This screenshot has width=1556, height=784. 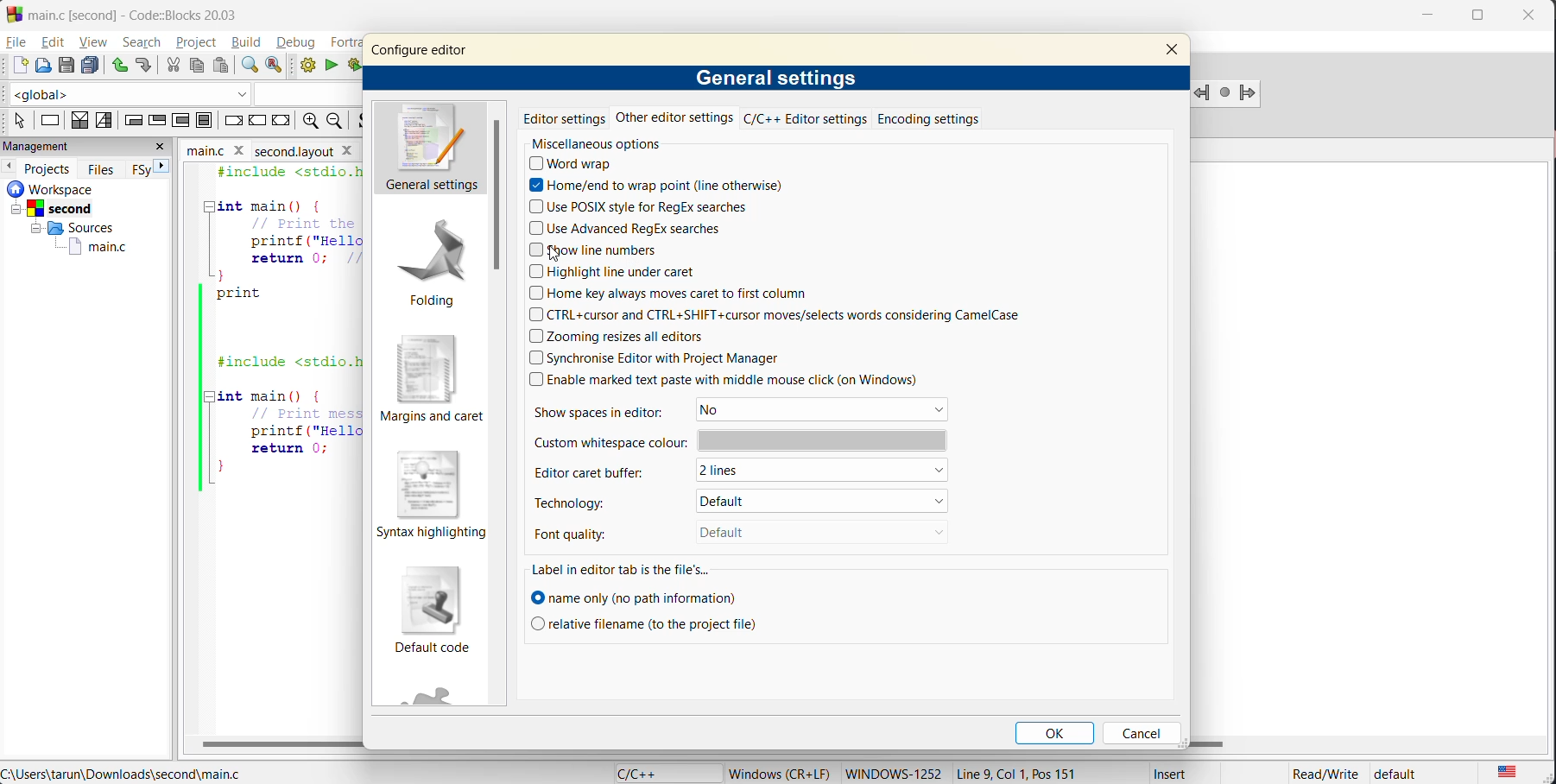 What do you see at coordinates (577, 163) in the screenshot?
I see `word wrap` at bounding box center [577, 163].